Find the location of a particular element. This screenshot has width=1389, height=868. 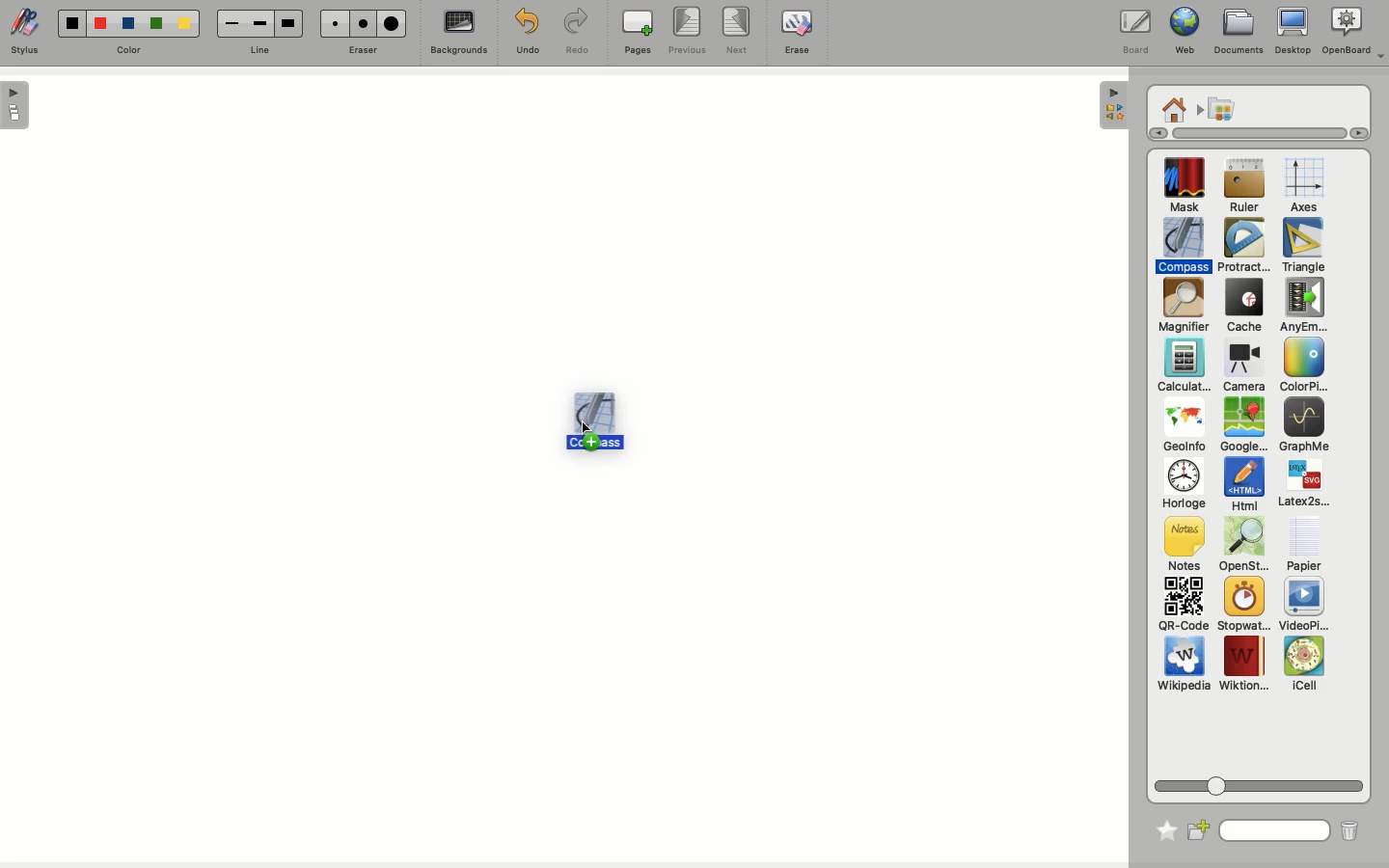

Axes is located at coordinates (1304, 186).